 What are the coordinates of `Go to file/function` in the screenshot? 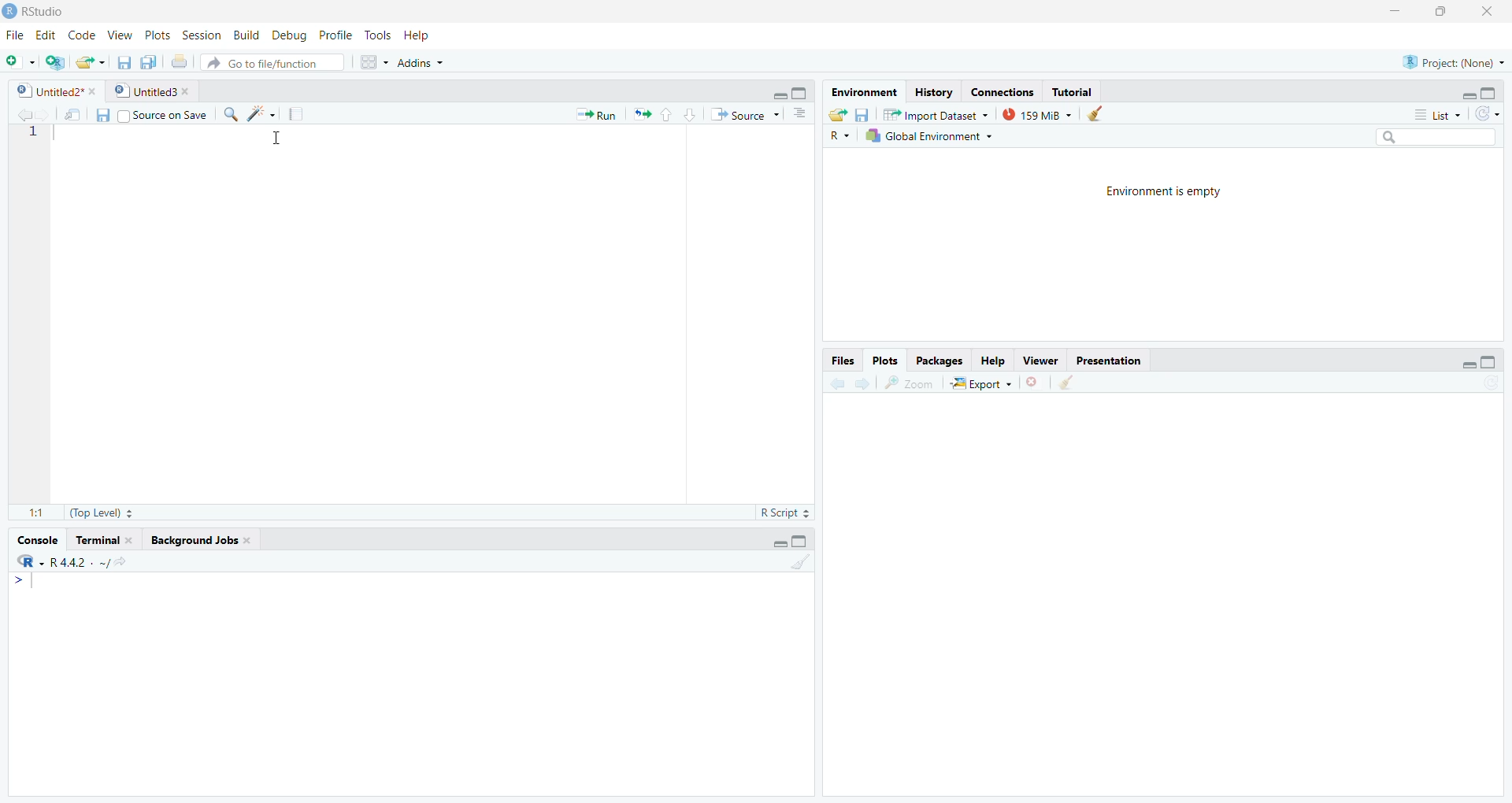 It's located at (274, 63).